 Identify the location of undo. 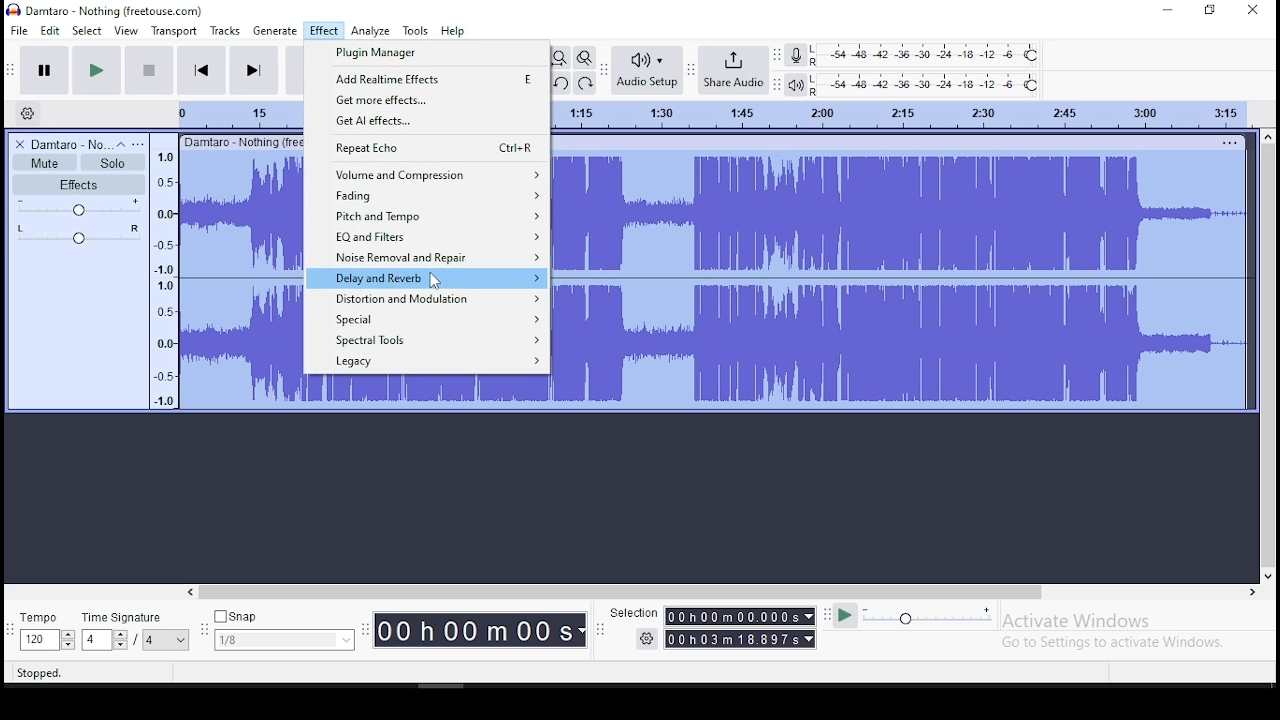
(561, 84).